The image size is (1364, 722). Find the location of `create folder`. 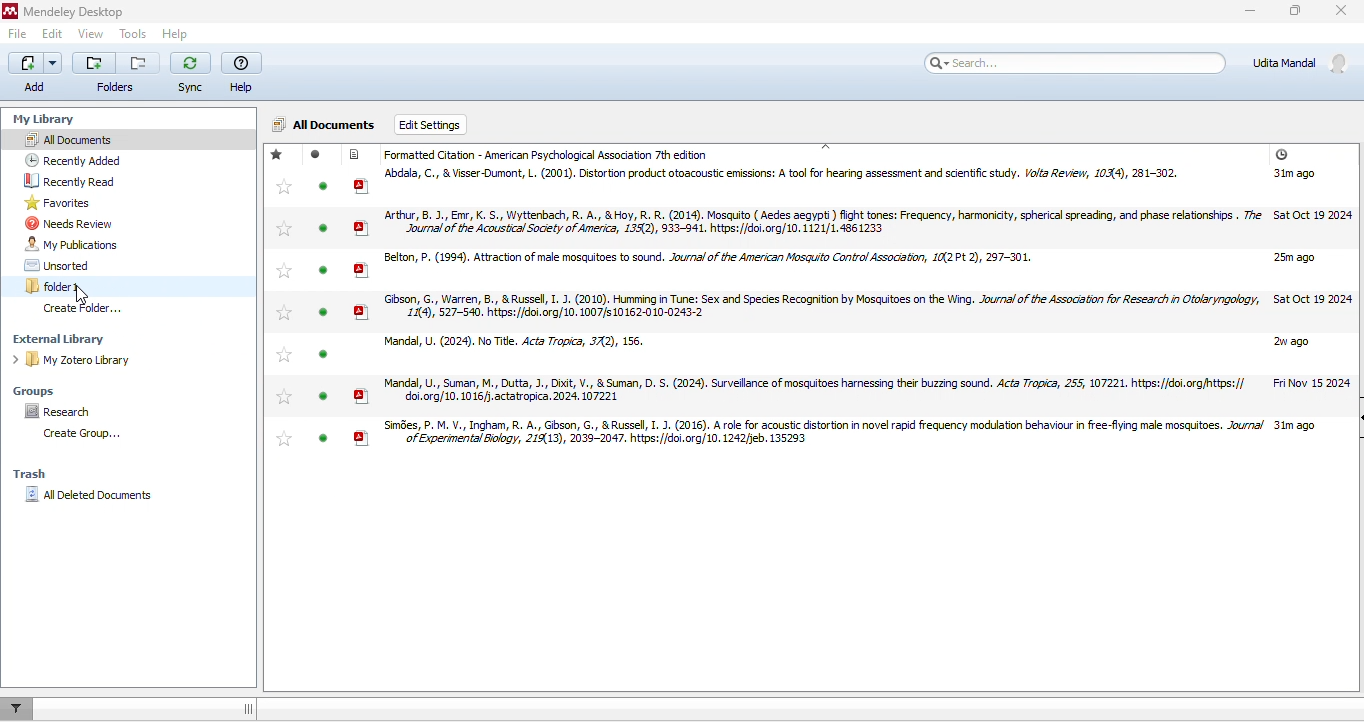

create folder is located at coordinates (78, 435).